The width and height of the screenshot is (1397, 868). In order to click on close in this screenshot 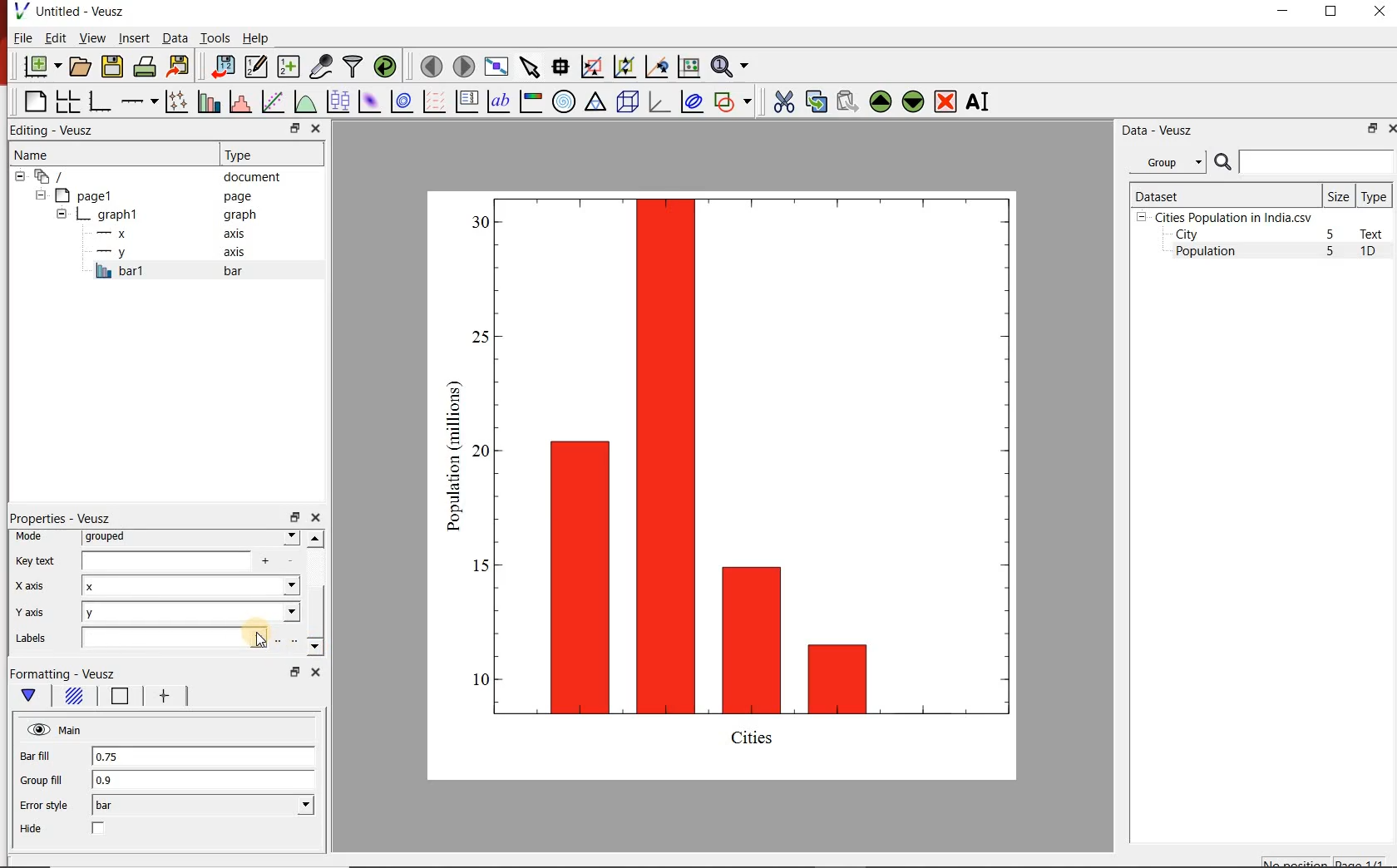, I will do `click(313, 672)`.